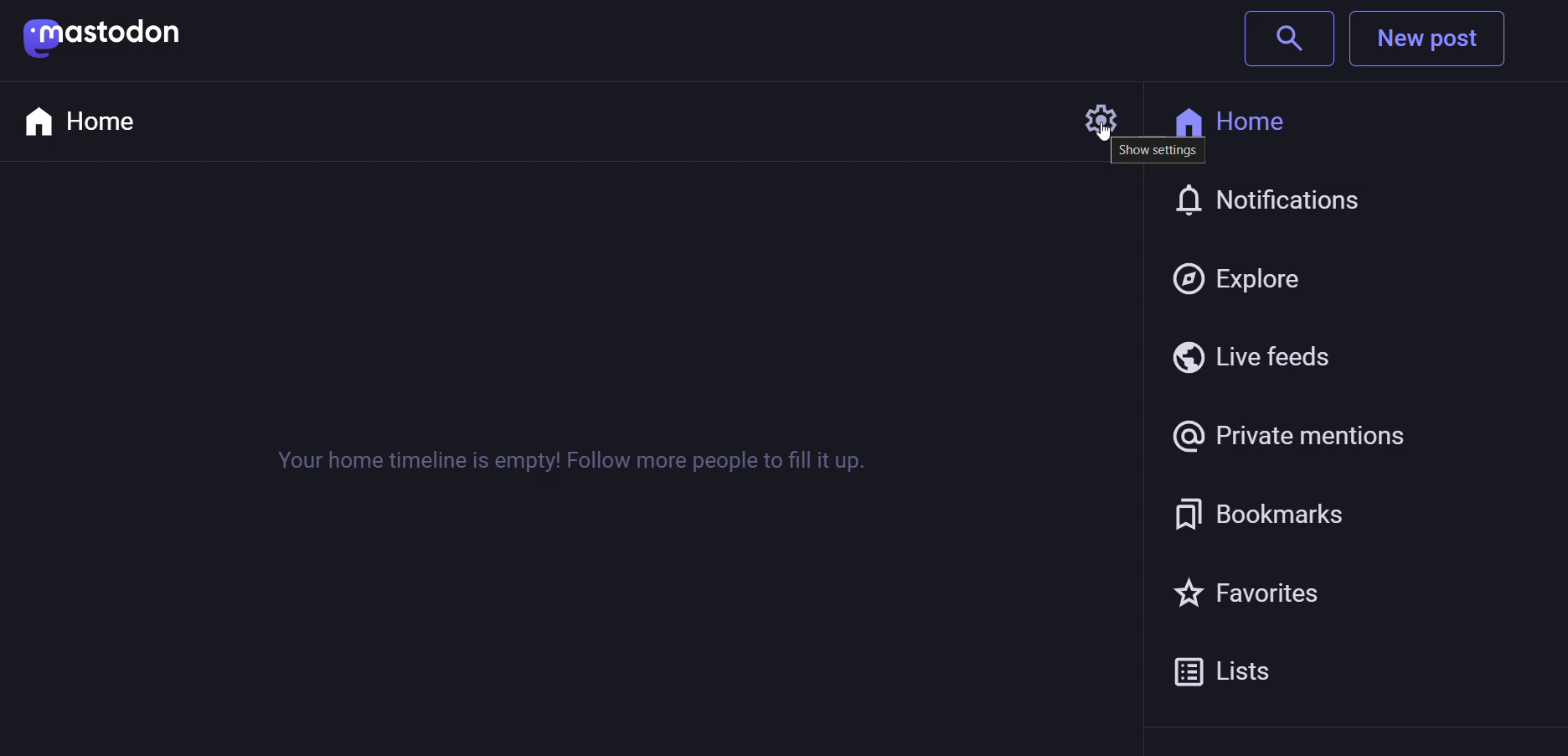  What do you see at coordinates (82, 122) in the screenshot?
I see `Home` at bounding box center [82, 122].